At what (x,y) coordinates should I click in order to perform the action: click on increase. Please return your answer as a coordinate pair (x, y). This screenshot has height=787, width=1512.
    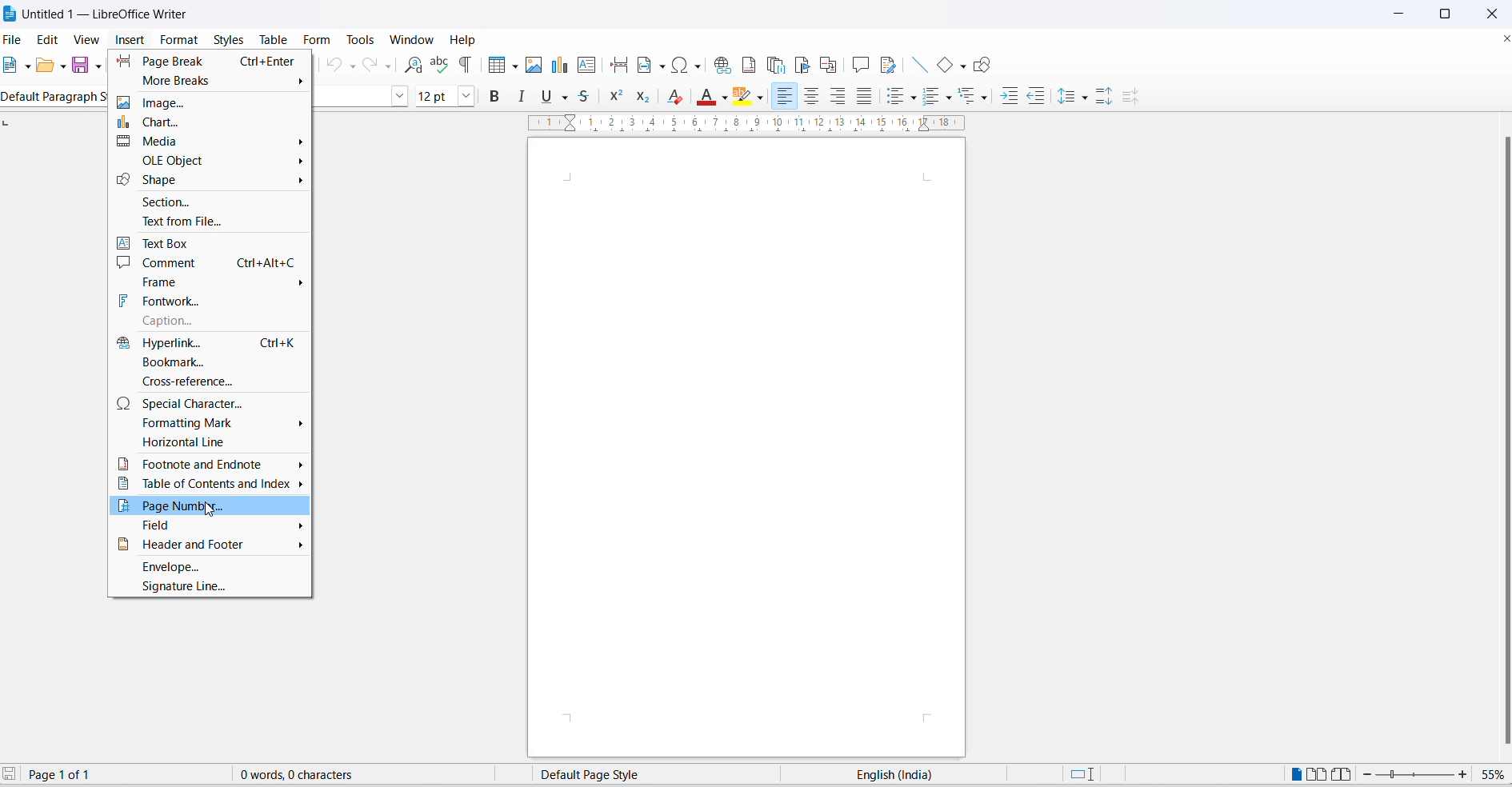
    Looking at the image, I should click on (1463, 774).